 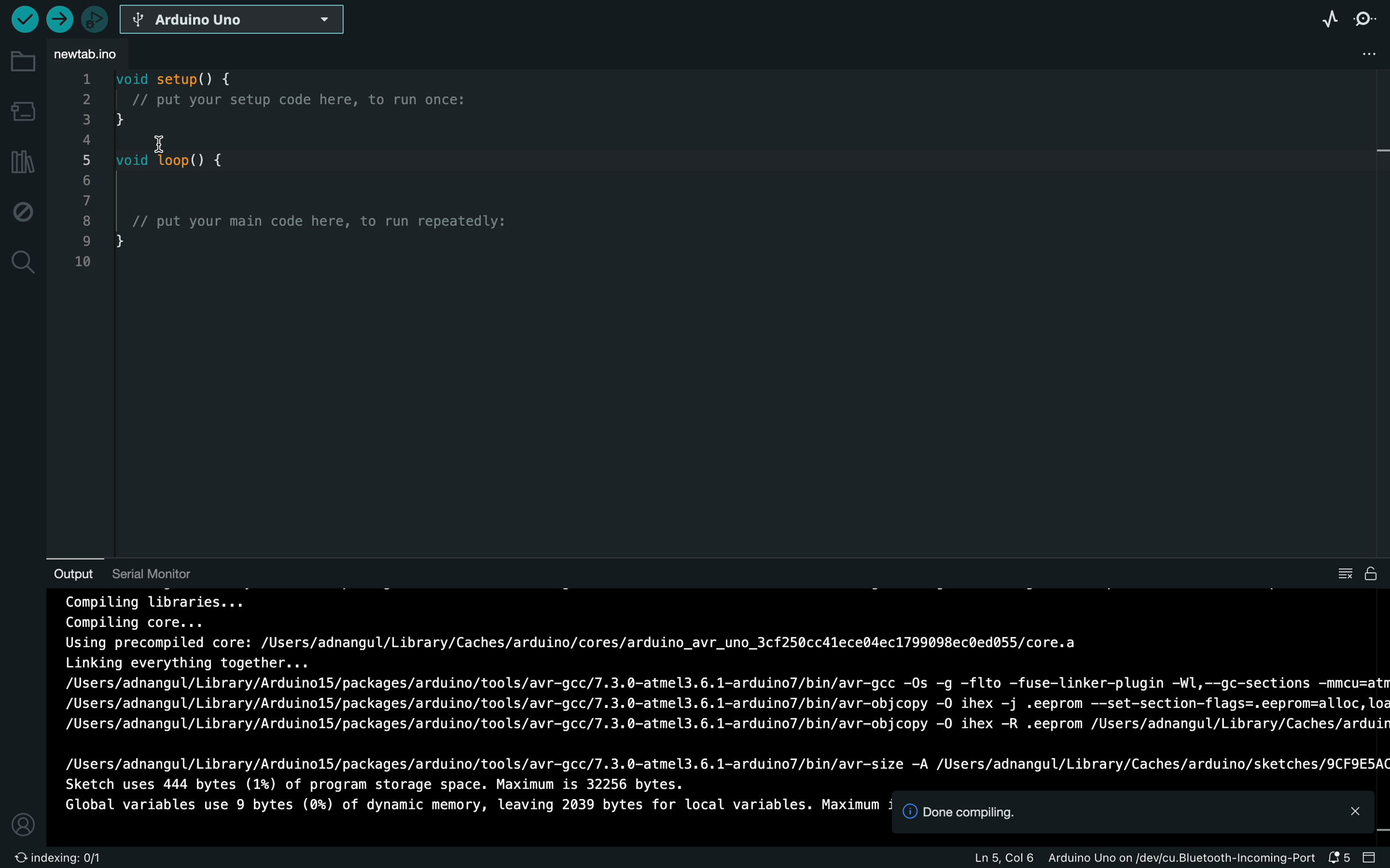 I want to click on serial monitor, so click(x=152, y=572).